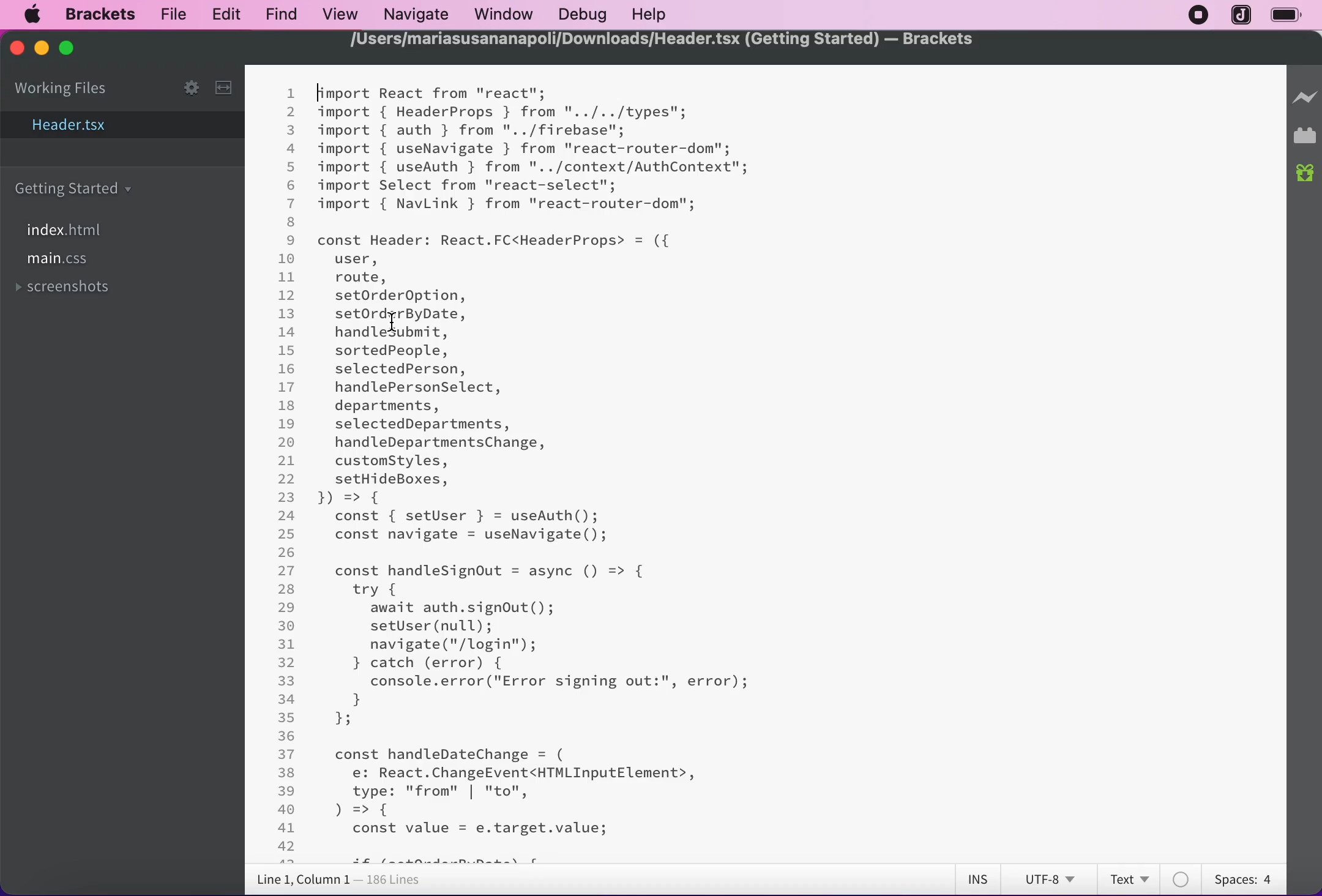  Describe the element at coordinates (286, 736) in the screenshot. I see `36` at that location.